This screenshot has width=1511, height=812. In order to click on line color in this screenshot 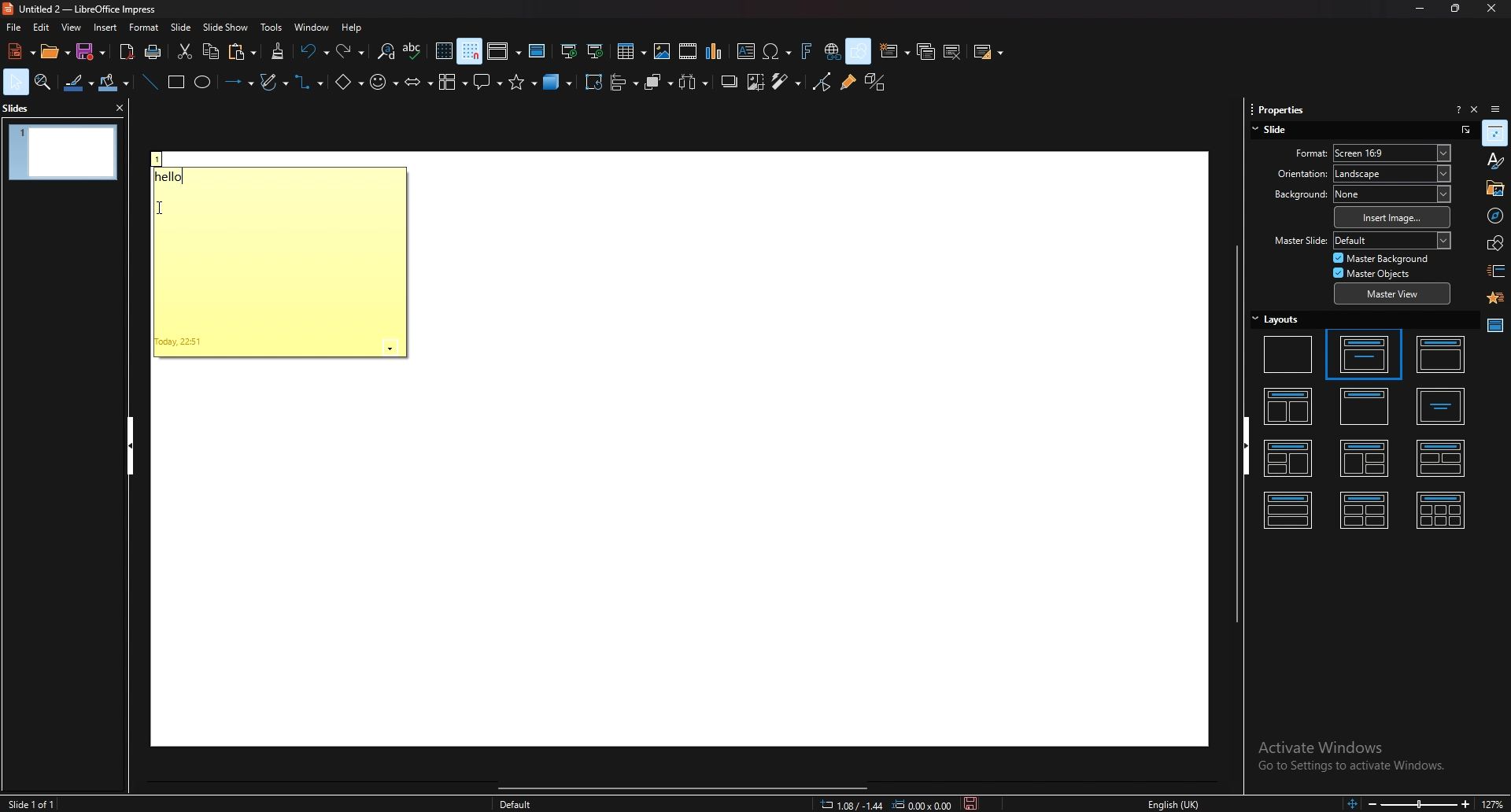, I will do `click(78, 83)`.